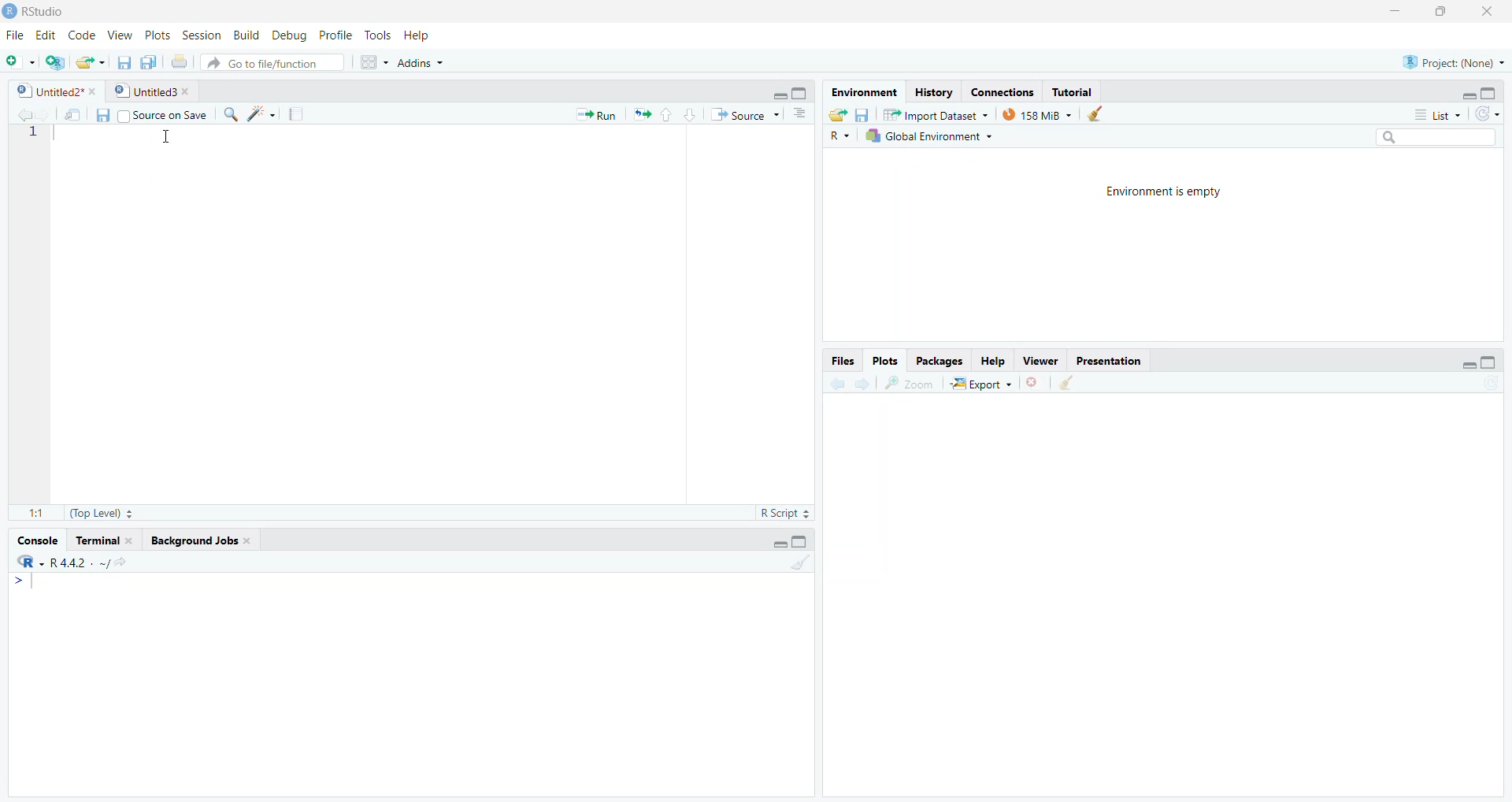  I want to click on 1:1, so click(31, 513).